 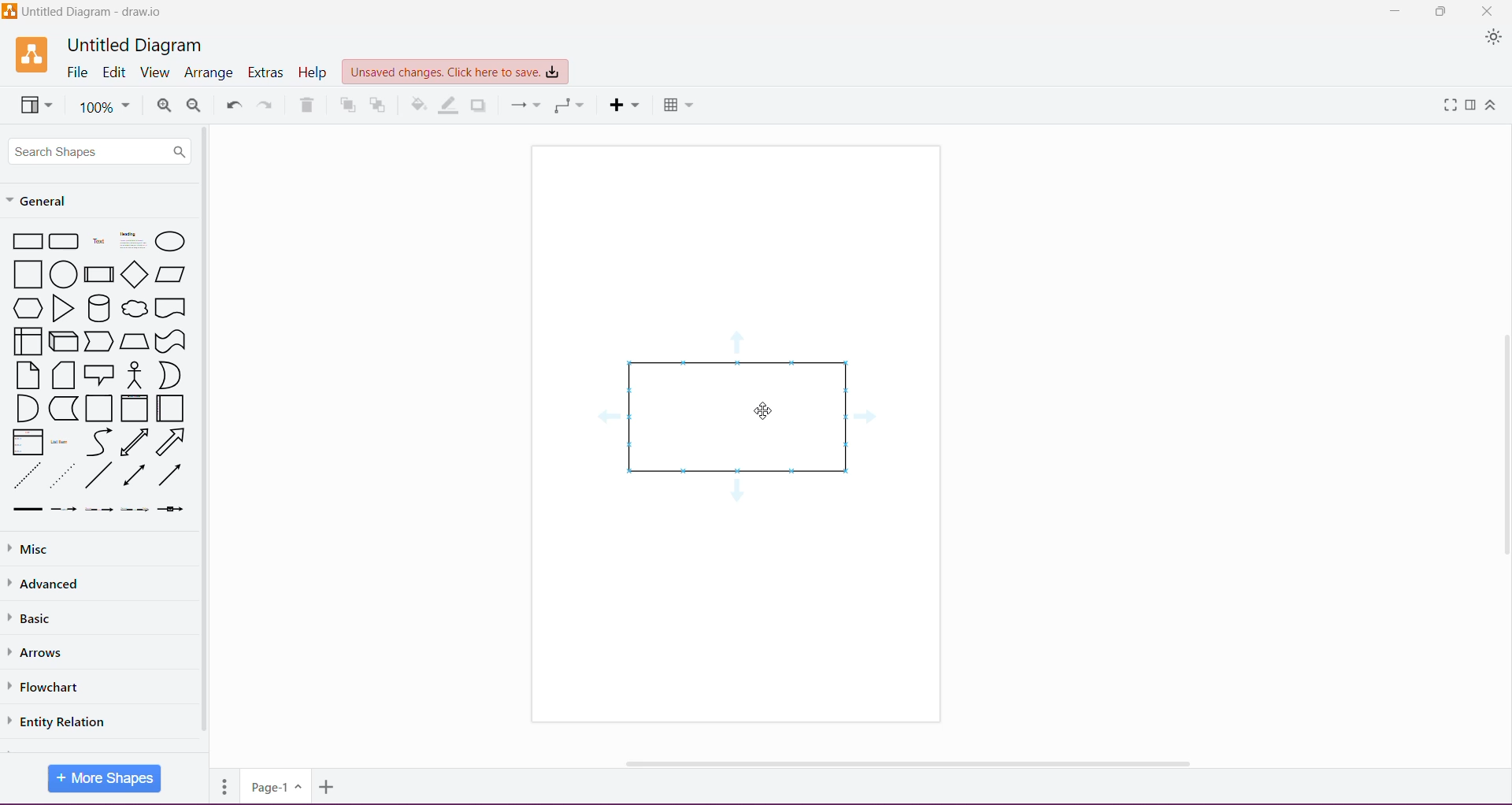 I want to click on Pages, so click(x=225, y=786).